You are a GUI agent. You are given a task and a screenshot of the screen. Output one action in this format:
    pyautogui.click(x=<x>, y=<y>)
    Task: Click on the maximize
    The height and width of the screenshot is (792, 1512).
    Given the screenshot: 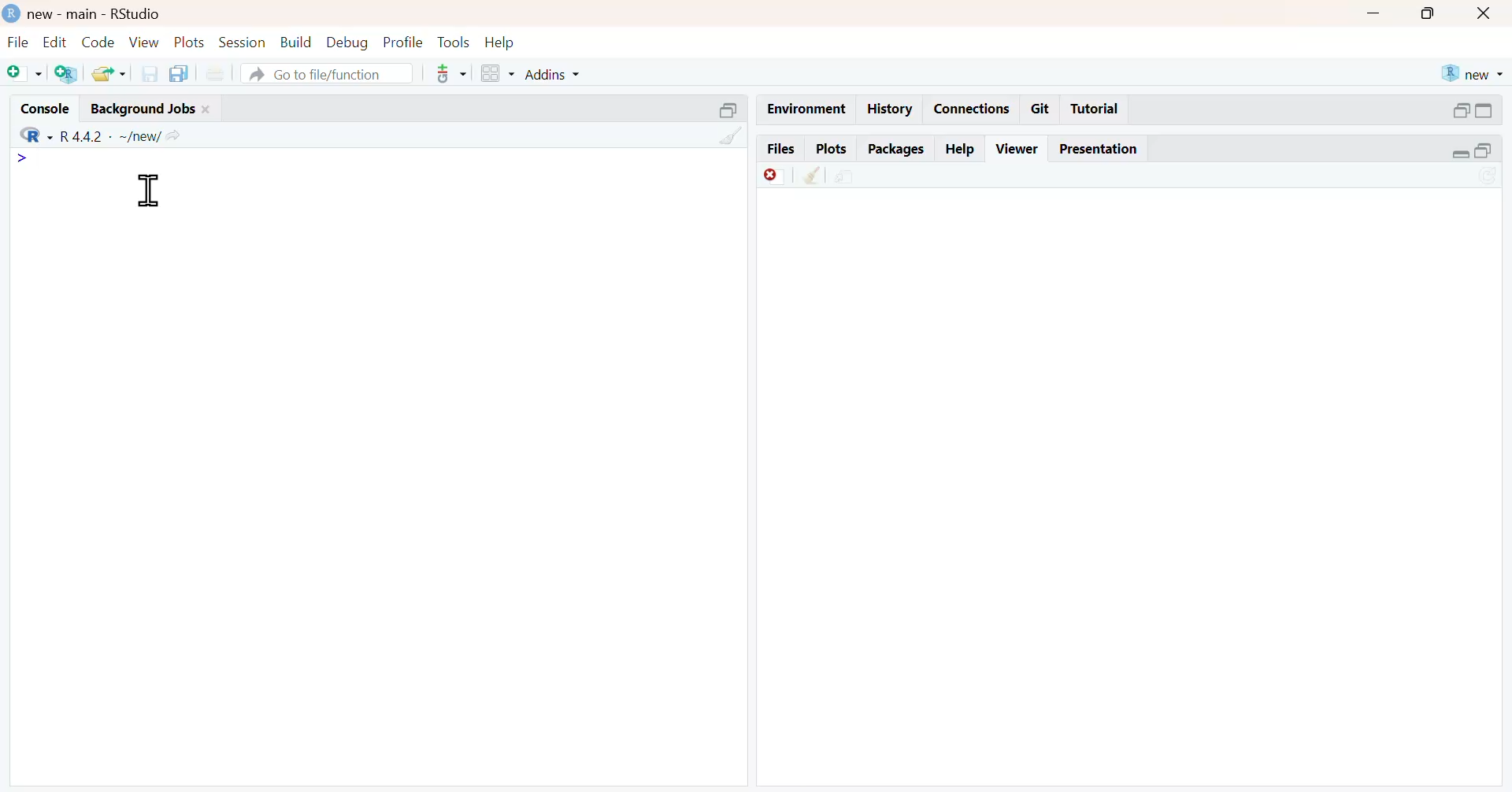 What is the action you would take?
    pyautogui.click(x=726, y=109)
    